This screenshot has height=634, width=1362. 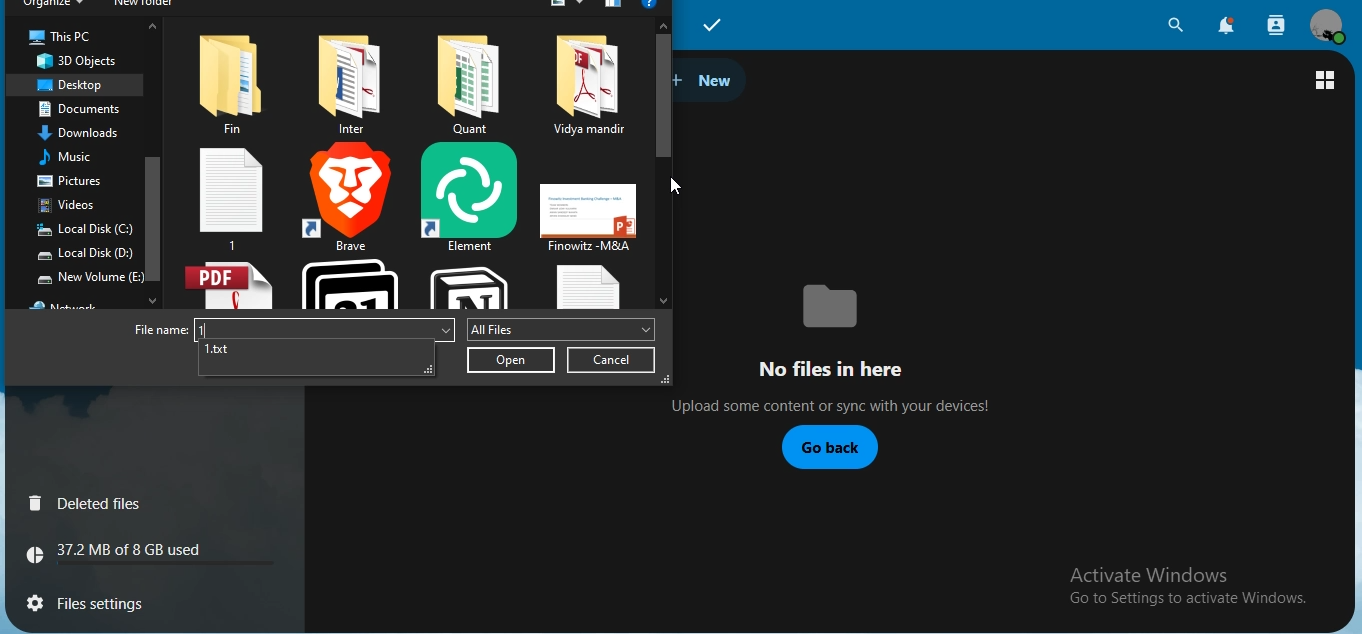 I want to click on 3d objects, so click(x=79, y=61).